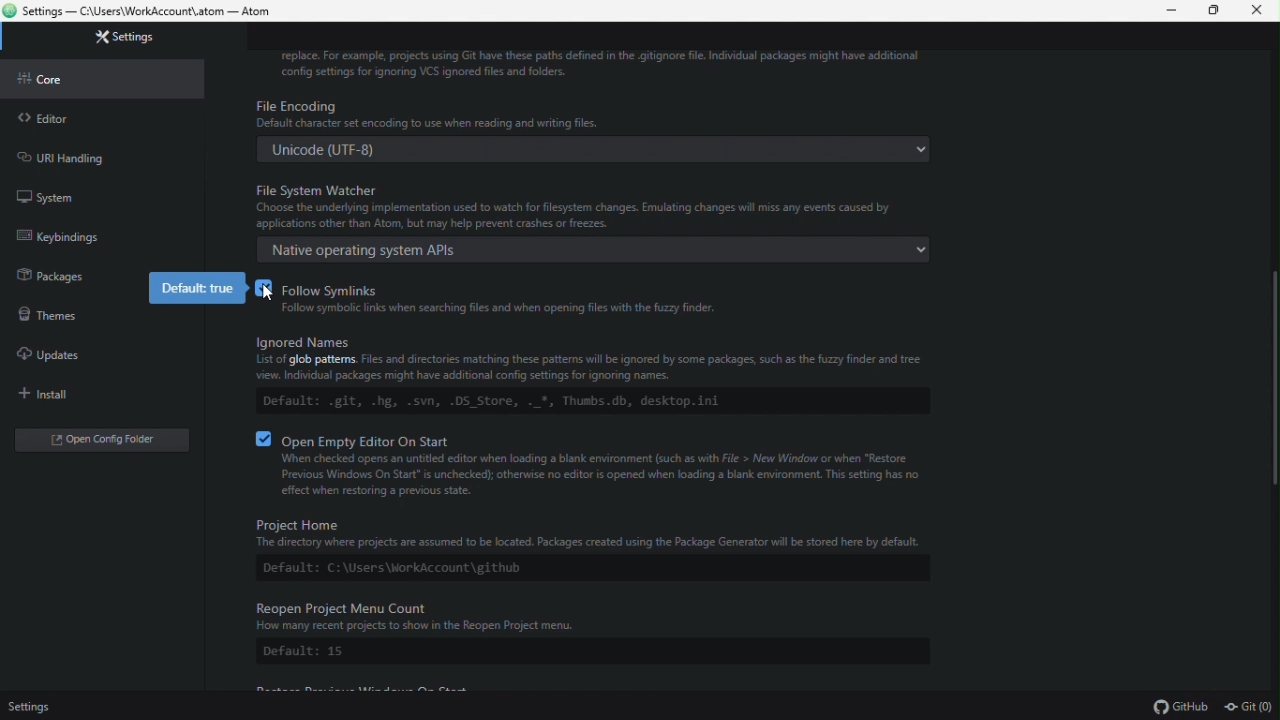 This screenshot has height=720, width=1280. Describe the element at coordinates (101, 118) in the screenshot. I see `Editor` at that location.